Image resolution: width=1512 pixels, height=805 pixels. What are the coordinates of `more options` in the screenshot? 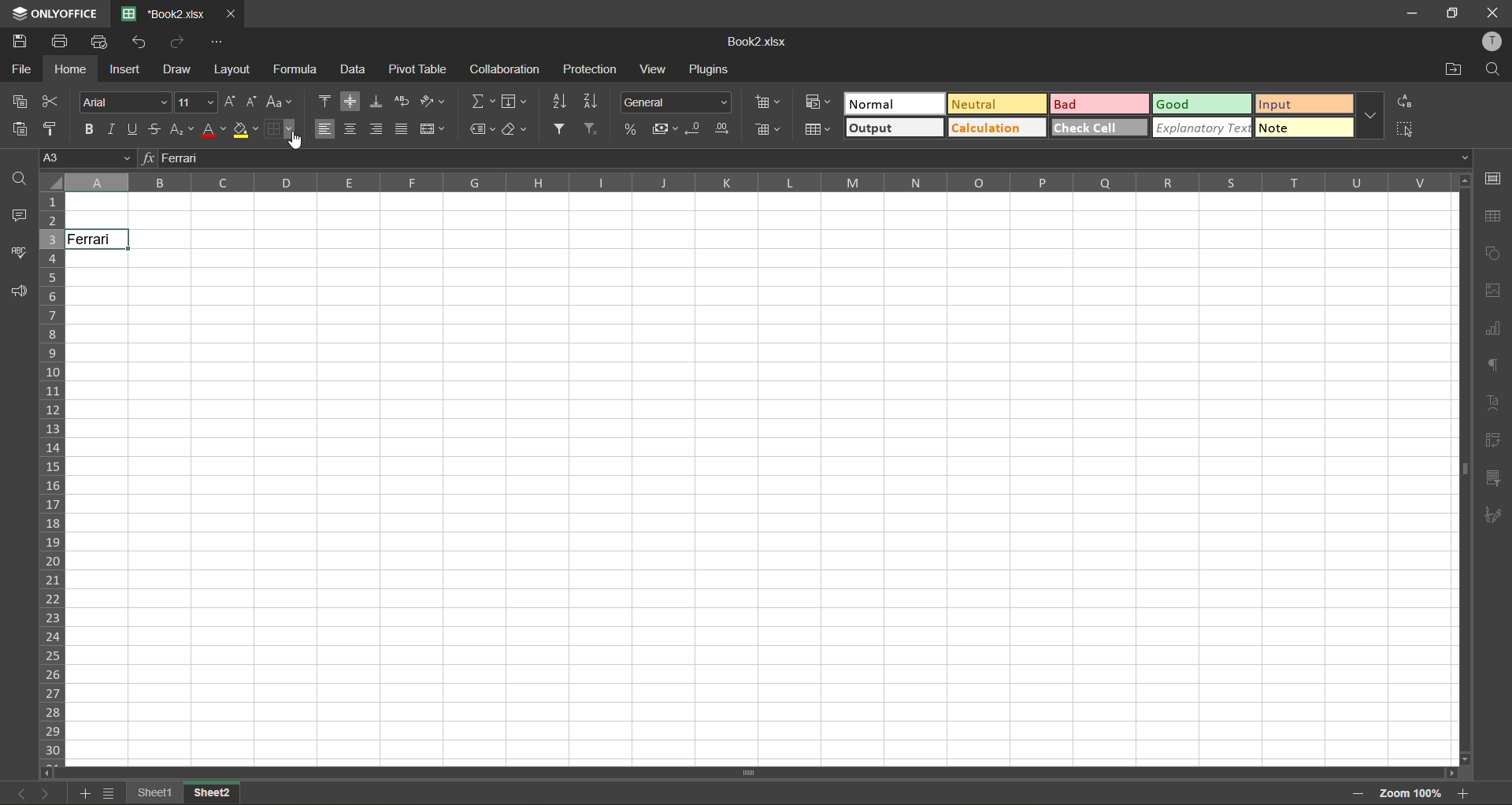 It's located at (1372, 117).